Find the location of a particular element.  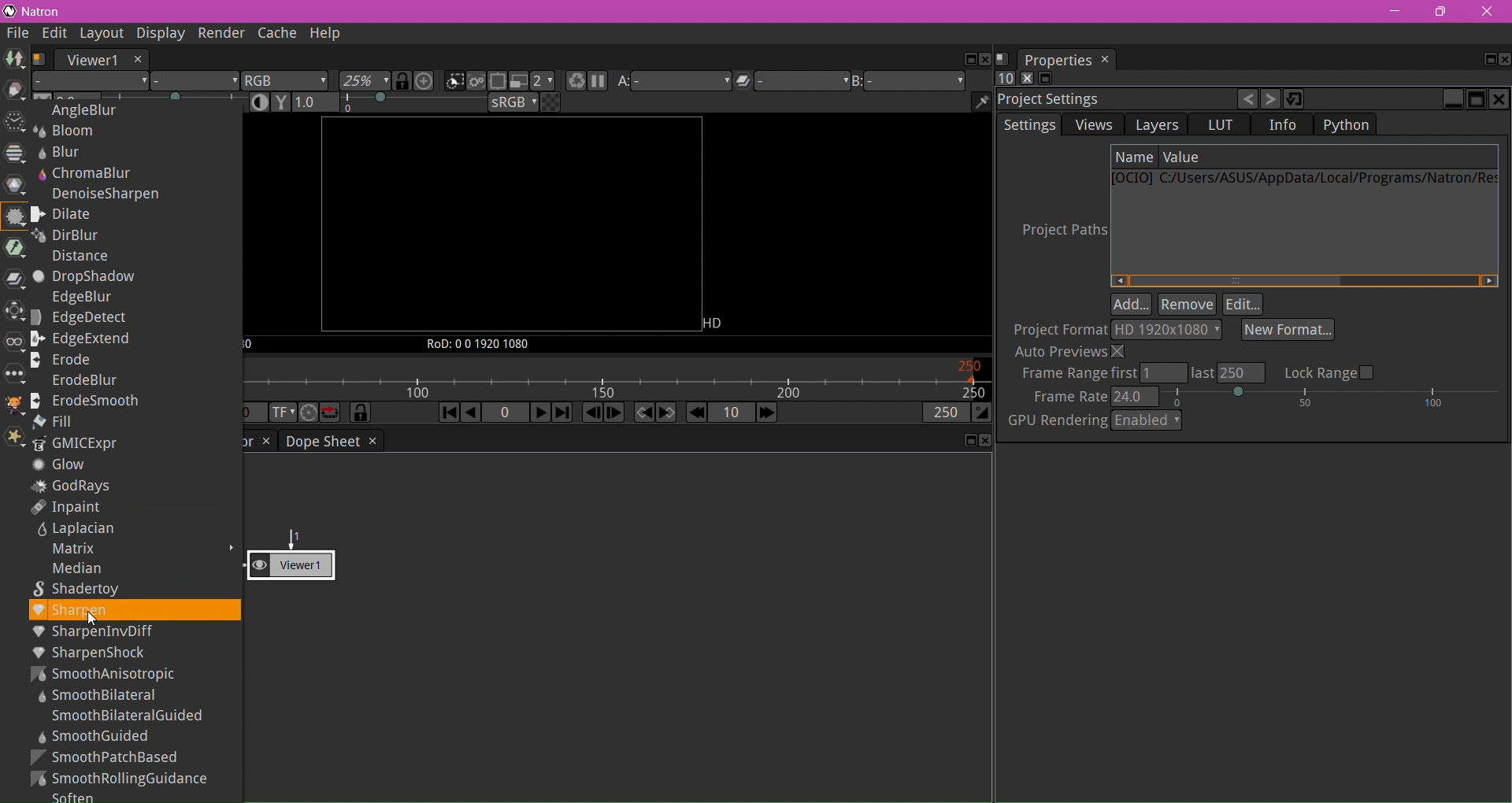

Play backward is located at coordinates (472, 415).